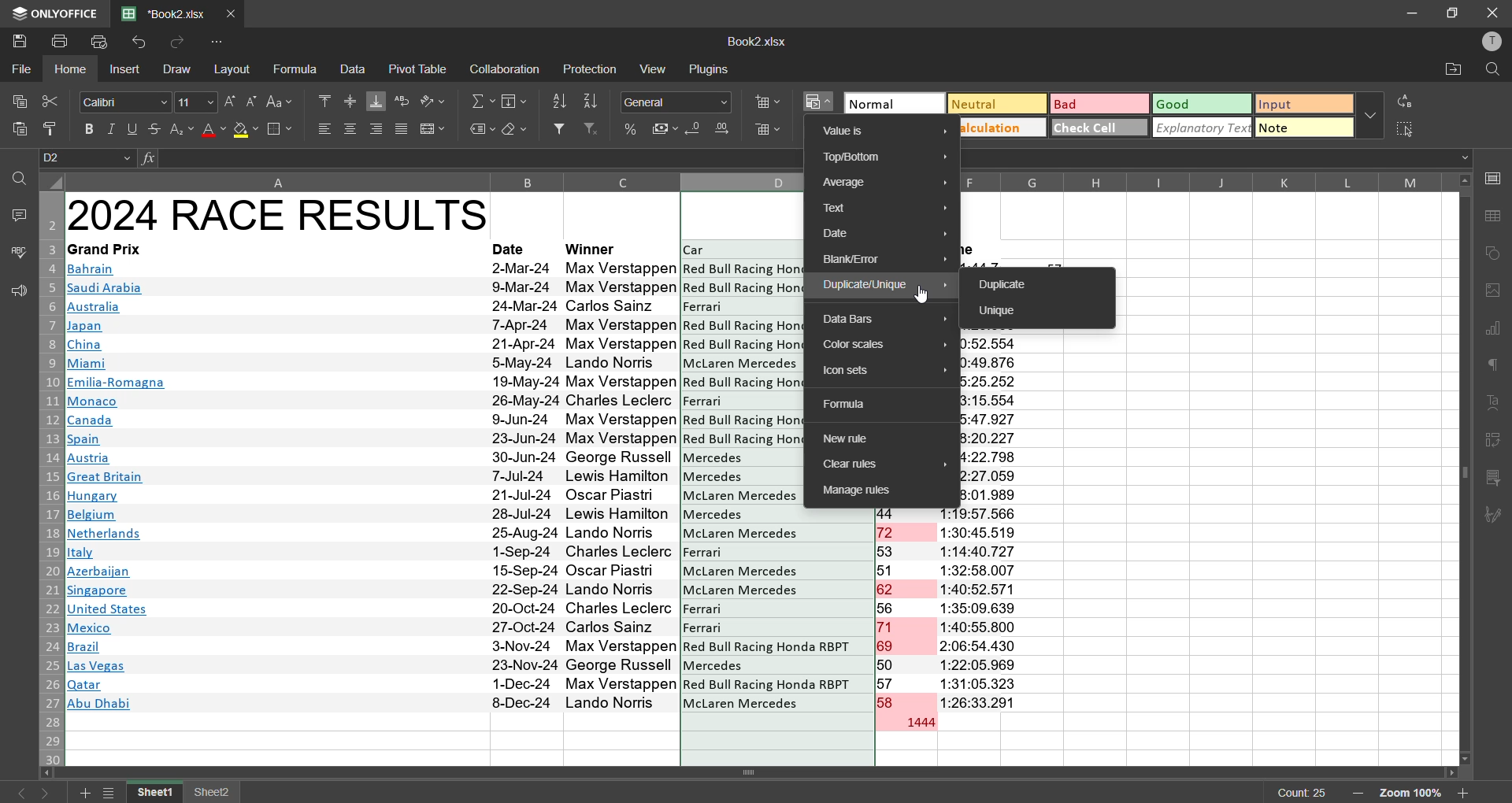 The width and height of the screenshot is (1512, 803). I want to click on bad, so click(1092, 107).